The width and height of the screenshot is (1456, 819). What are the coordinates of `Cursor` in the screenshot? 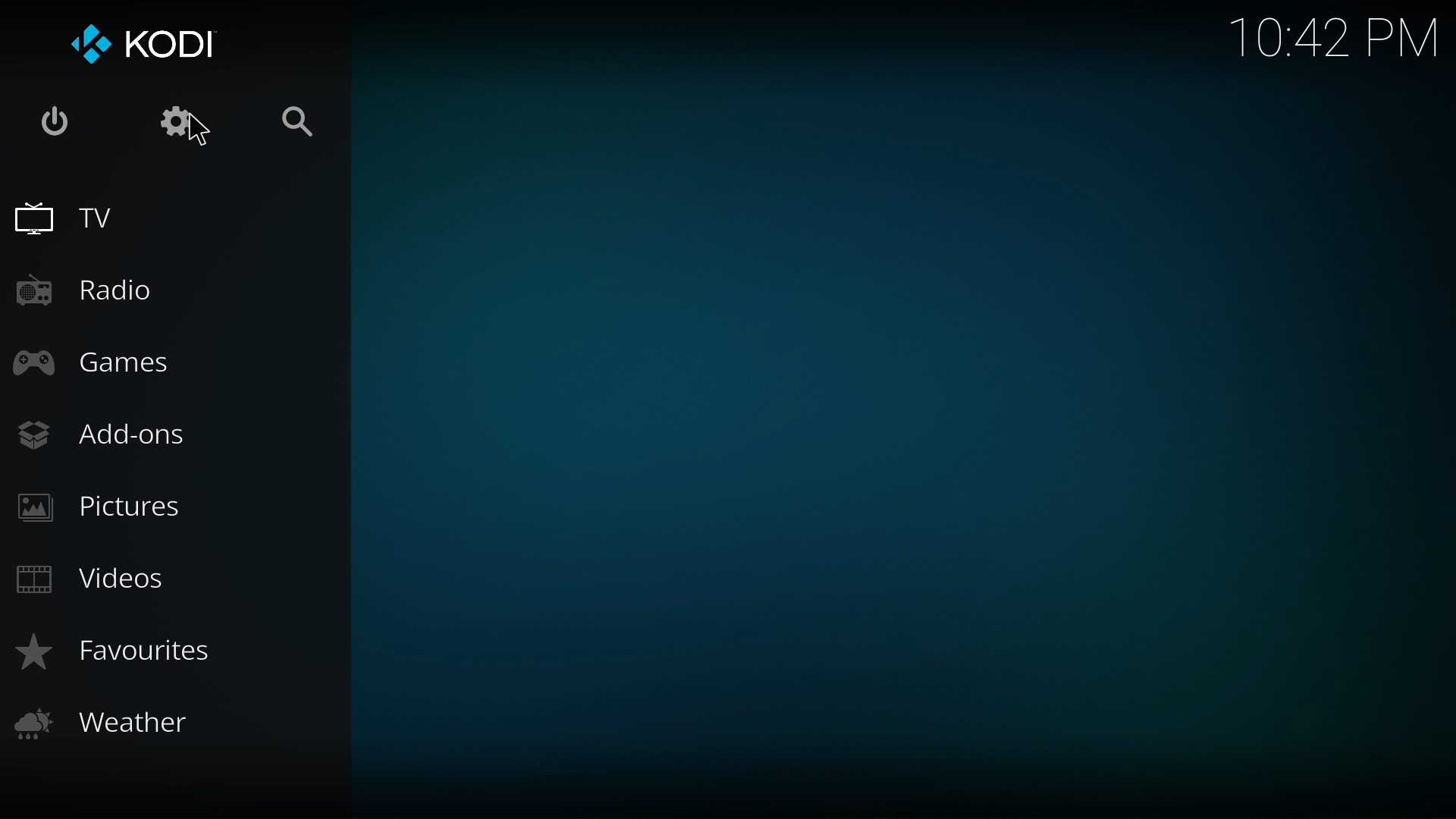 It's located at (195, 133).